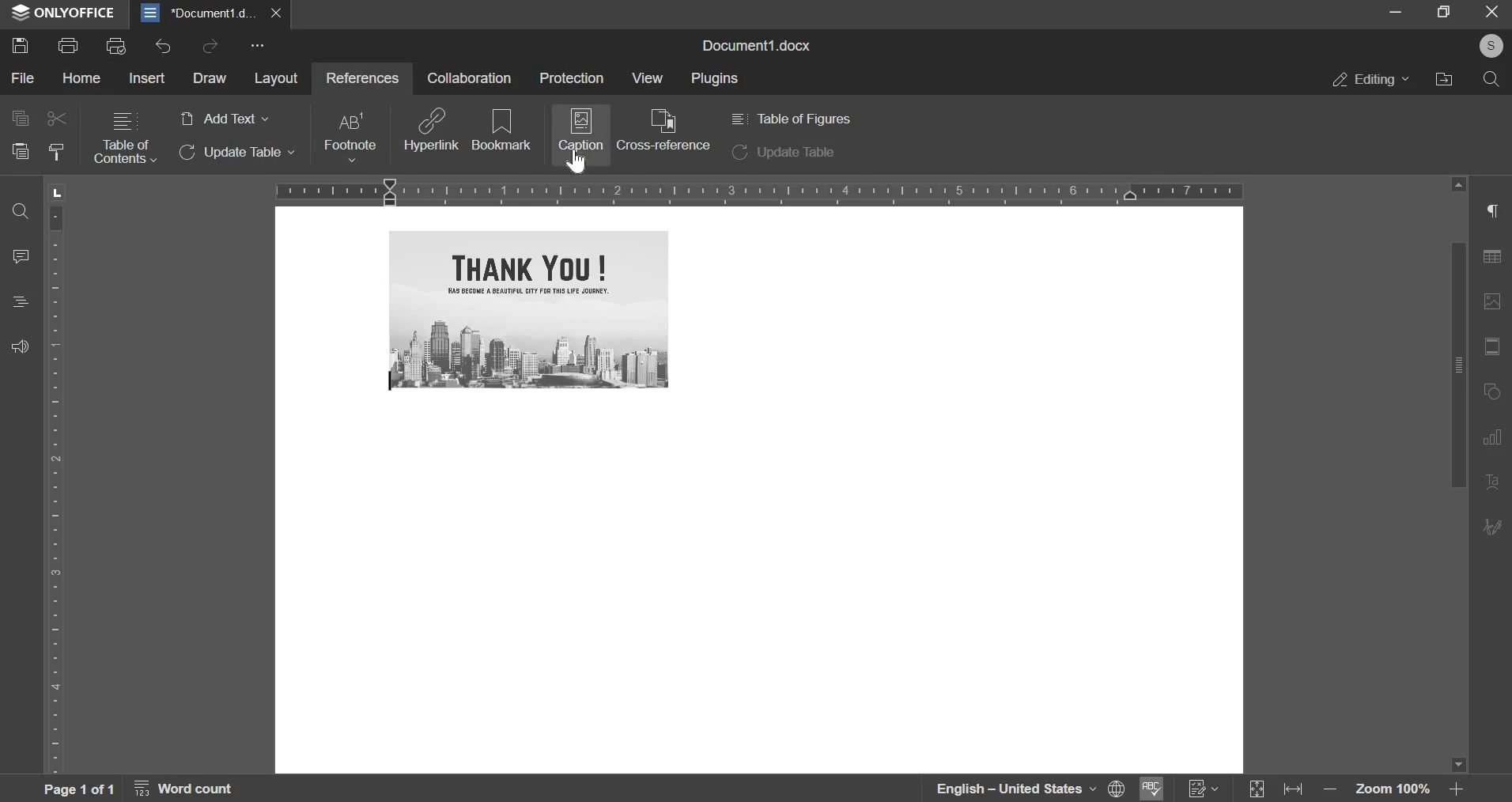  Describe the element at coordinates (125, 138) in the screenshot. I see `table of contents` at that location.